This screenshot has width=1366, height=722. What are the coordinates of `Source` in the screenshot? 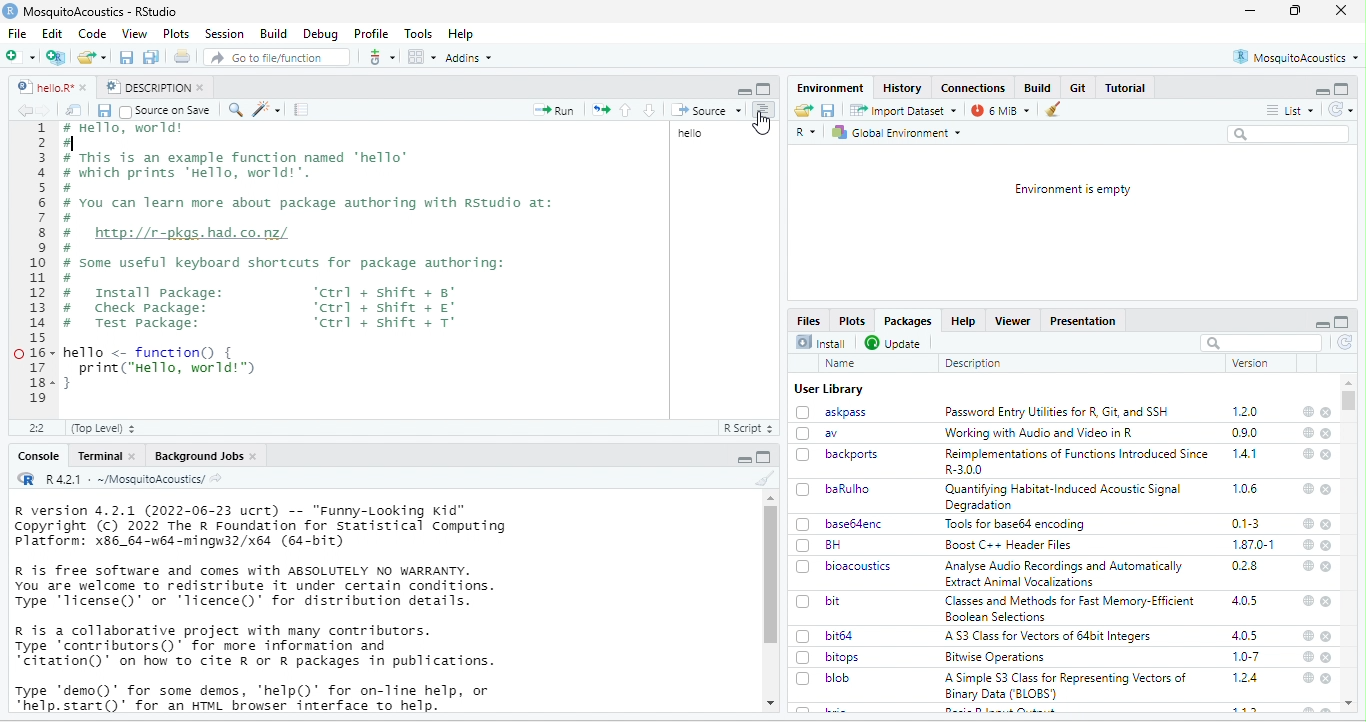 It's located at (709, 110).